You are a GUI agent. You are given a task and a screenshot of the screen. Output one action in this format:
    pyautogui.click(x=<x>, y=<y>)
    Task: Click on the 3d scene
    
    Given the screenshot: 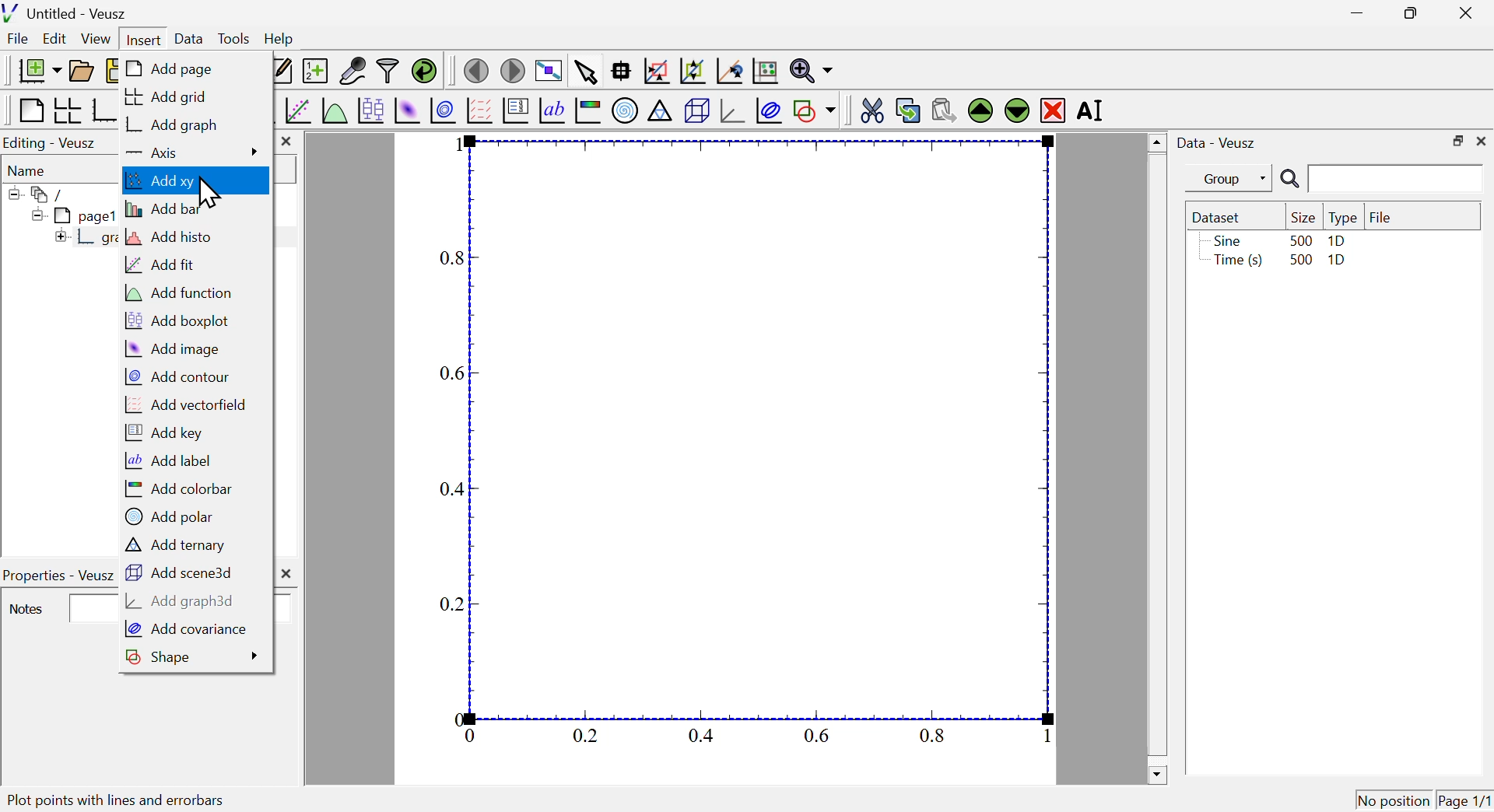 What is the action you would take?
    pyautogui.click(x=697, y=112)
    